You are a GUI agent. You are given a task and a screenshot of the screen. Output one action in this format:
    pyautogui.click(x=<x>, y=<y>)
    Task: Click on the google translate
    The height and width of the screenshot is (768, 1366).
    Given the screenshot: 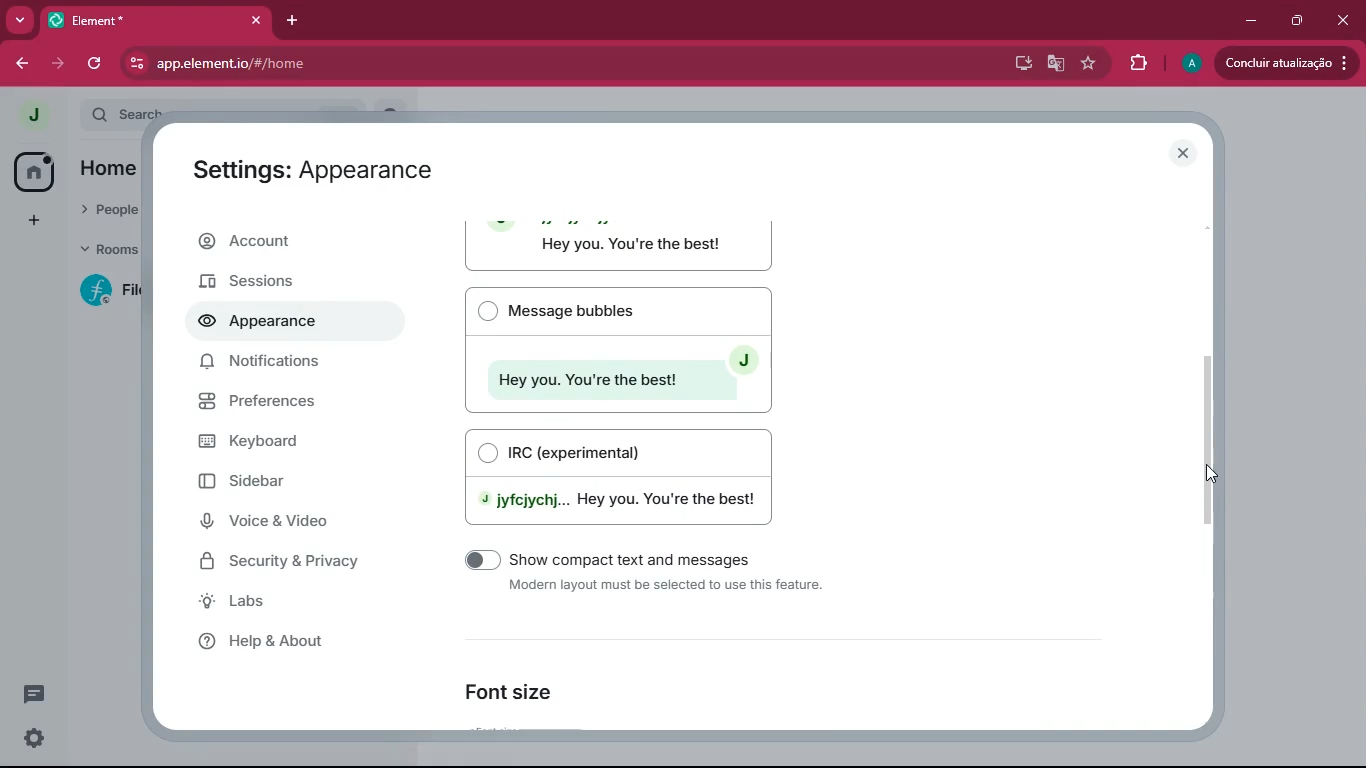 What is the action you would take?
    pyautogui.click(x=1057, y=65)
    